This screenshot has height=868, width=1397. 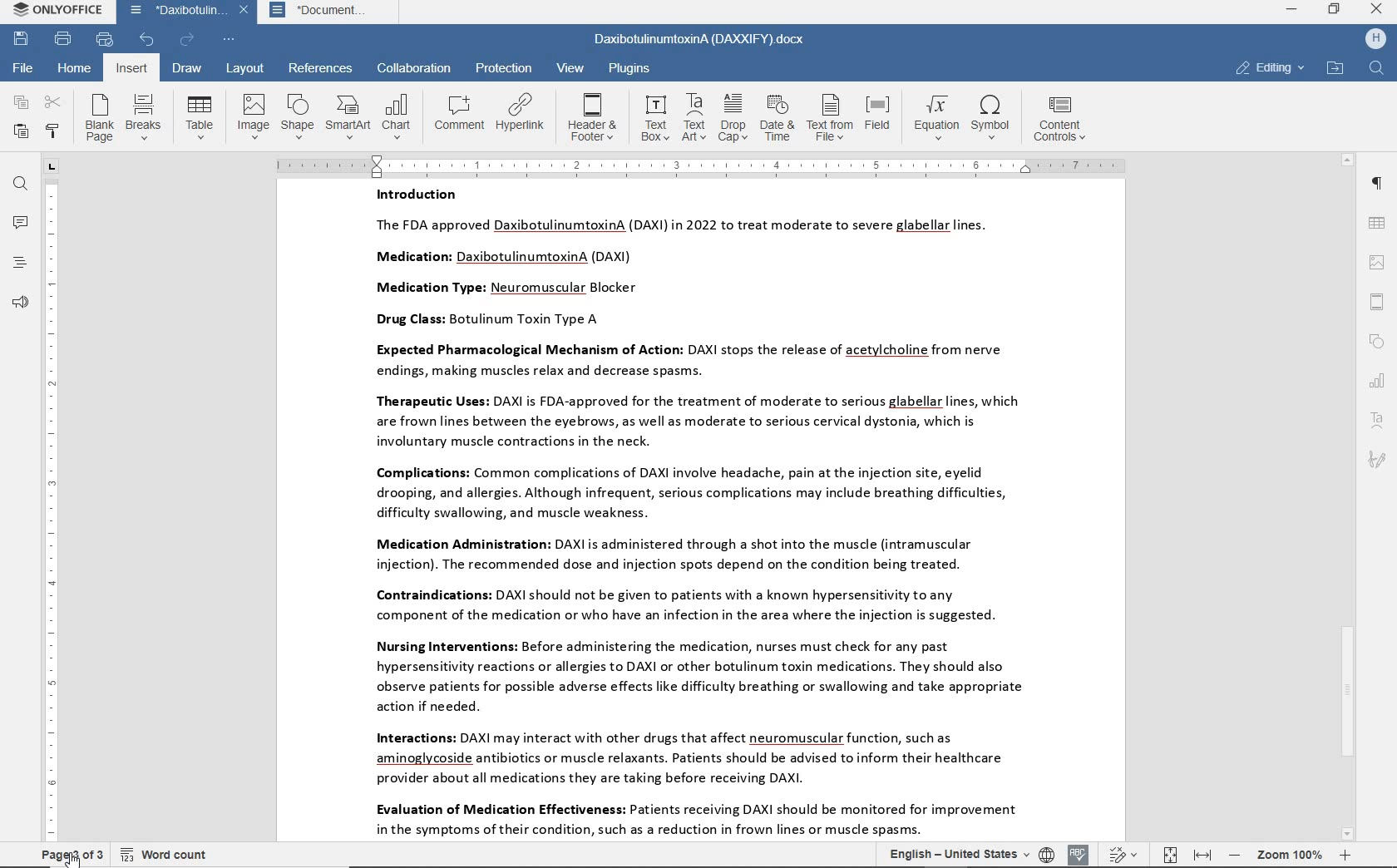 What do you see at coordinates (1377, 461) in the screenshot?
I see `signature` at bounding box center [1377, 461].